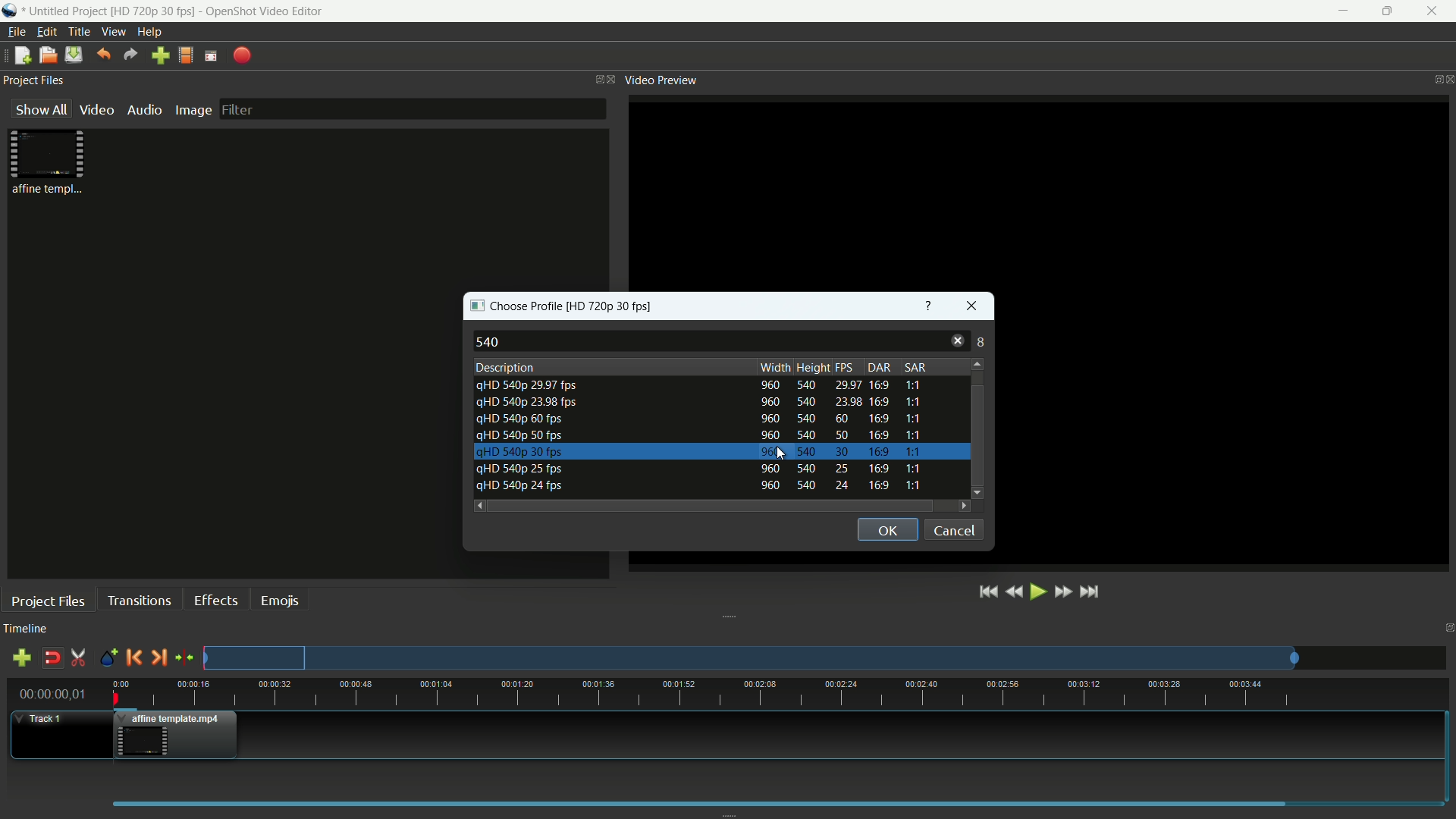  I want to click on help menu, so click(149, 32).